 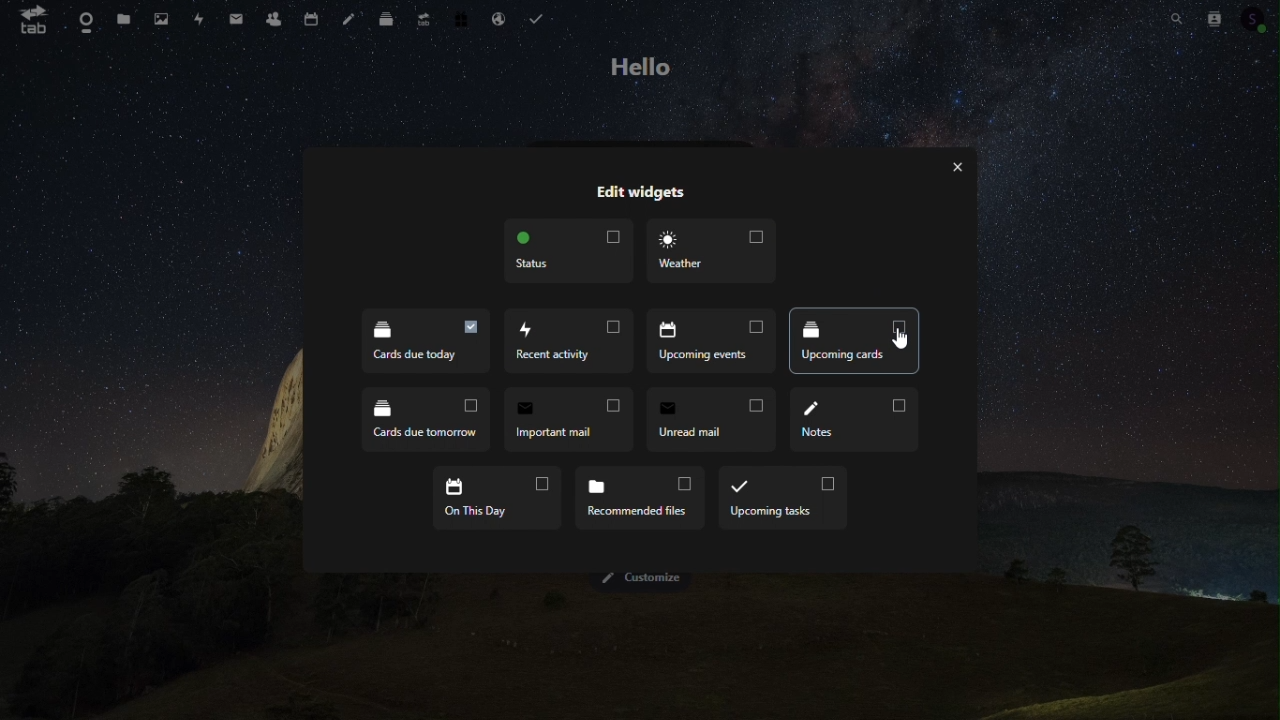 What do you see at coordinates (852, 341) in the screenshot?
I see `Upcoming cards` at bounding box center [852, 341].